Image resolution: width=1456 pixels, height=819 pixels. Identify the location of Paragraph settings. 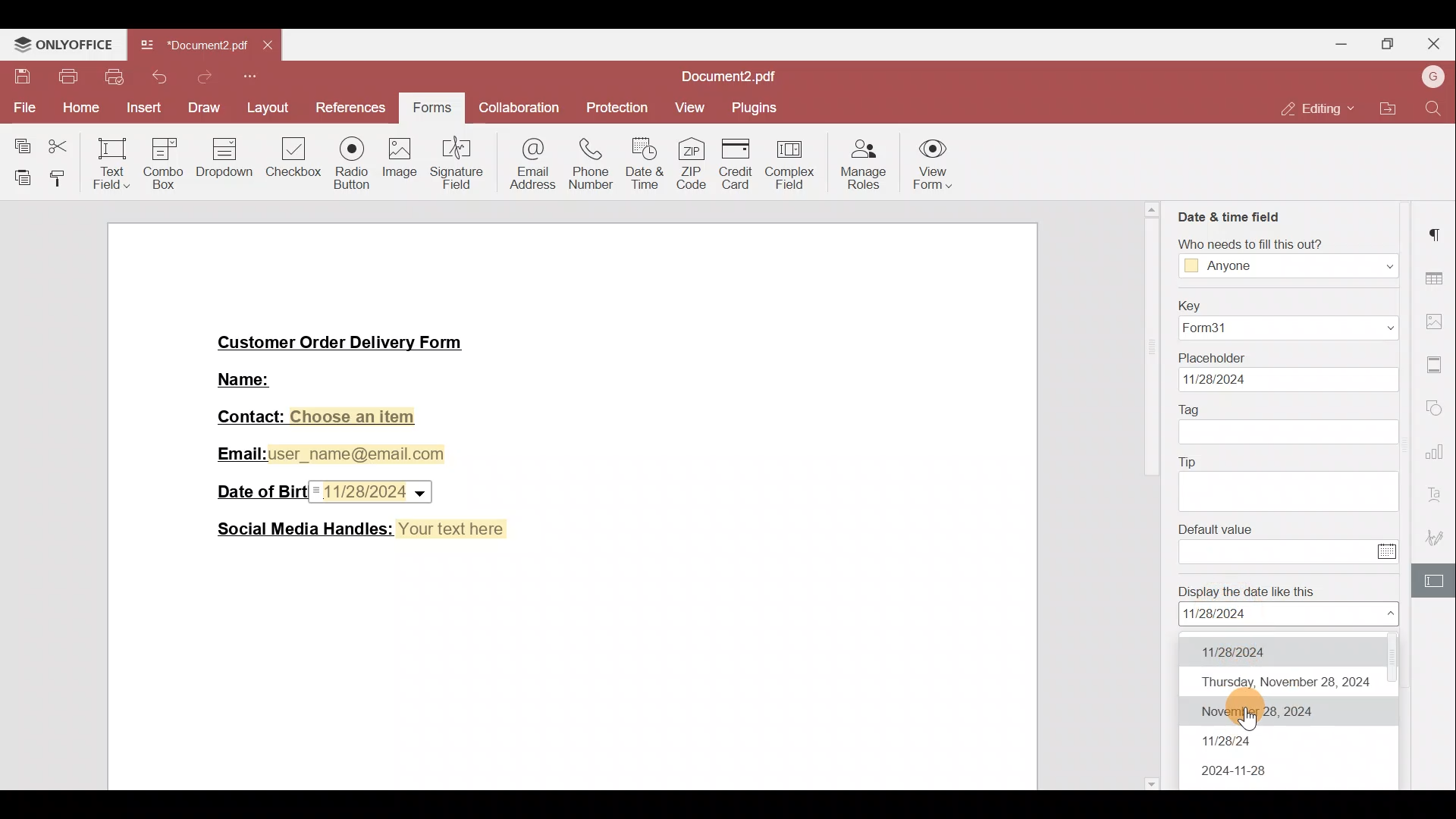
(1439, 234).